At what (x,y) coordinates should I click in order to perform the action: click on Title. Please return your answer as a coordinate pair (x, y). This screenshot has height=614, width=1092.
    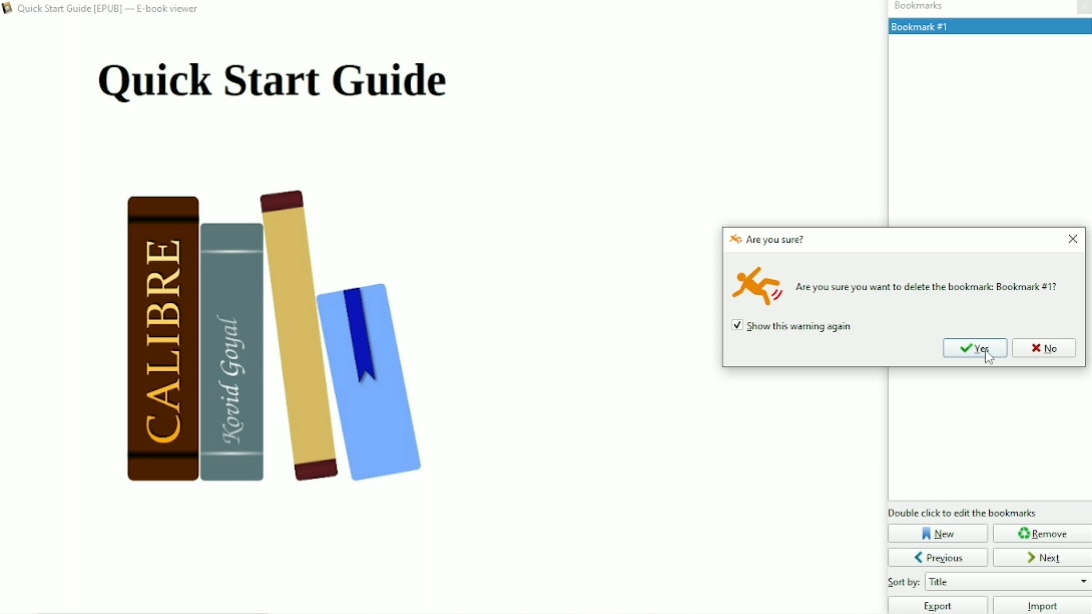
    Looking at the image, I should click on (278, 86).